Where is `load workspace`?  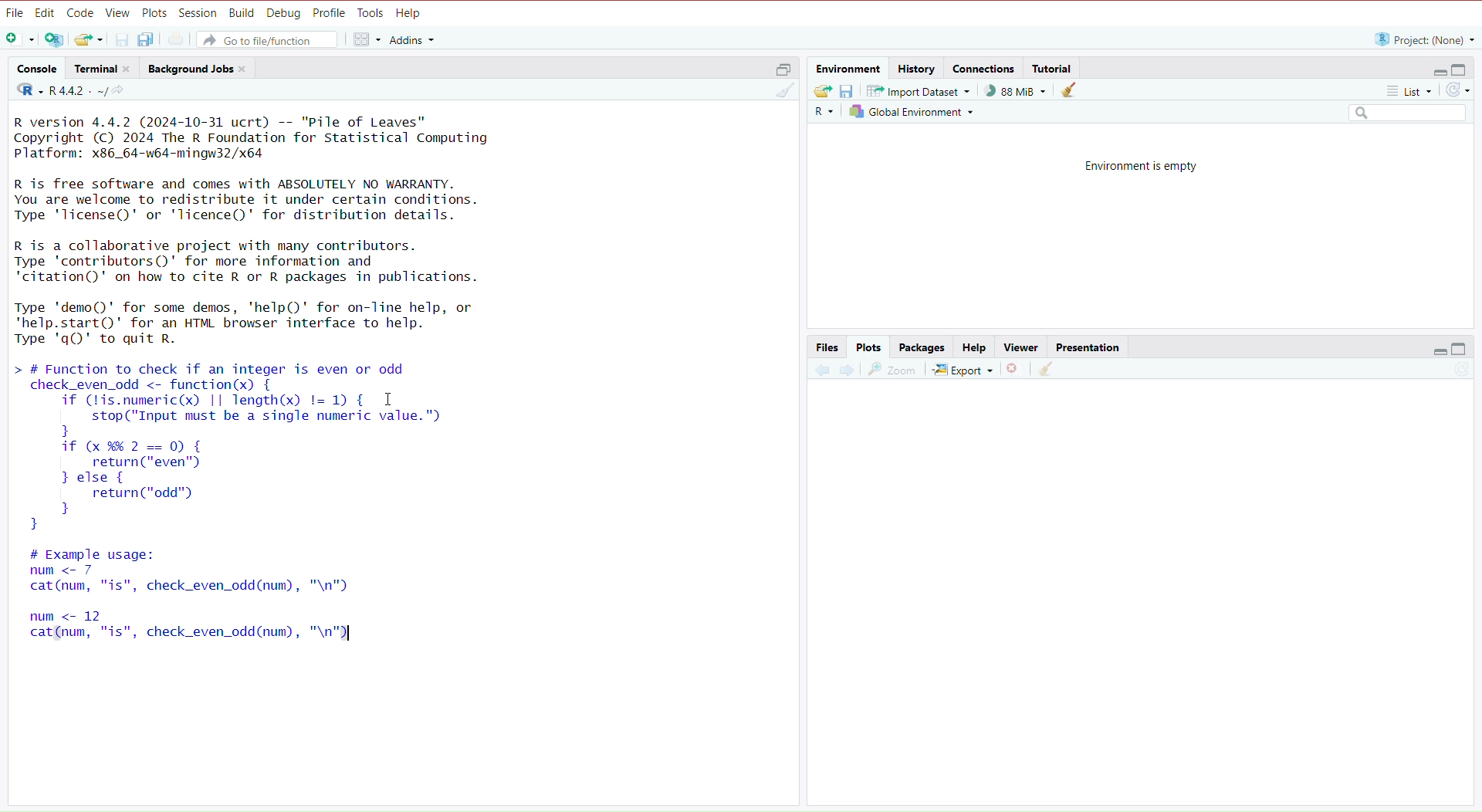
load workspace is located at coordinates (823, 91).